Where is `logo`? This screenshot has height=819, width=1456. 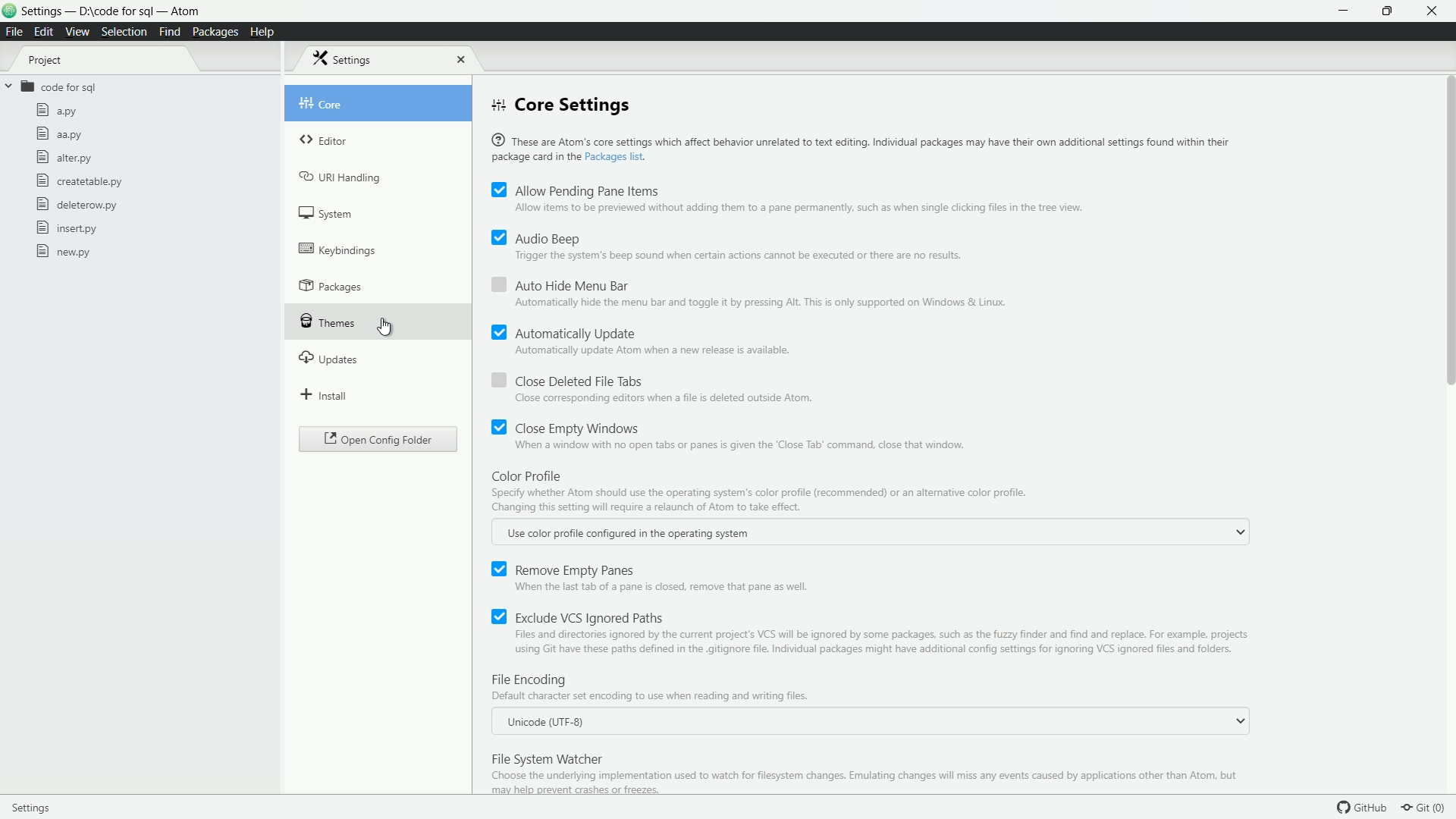
logo is located at coordinates (10, 12).